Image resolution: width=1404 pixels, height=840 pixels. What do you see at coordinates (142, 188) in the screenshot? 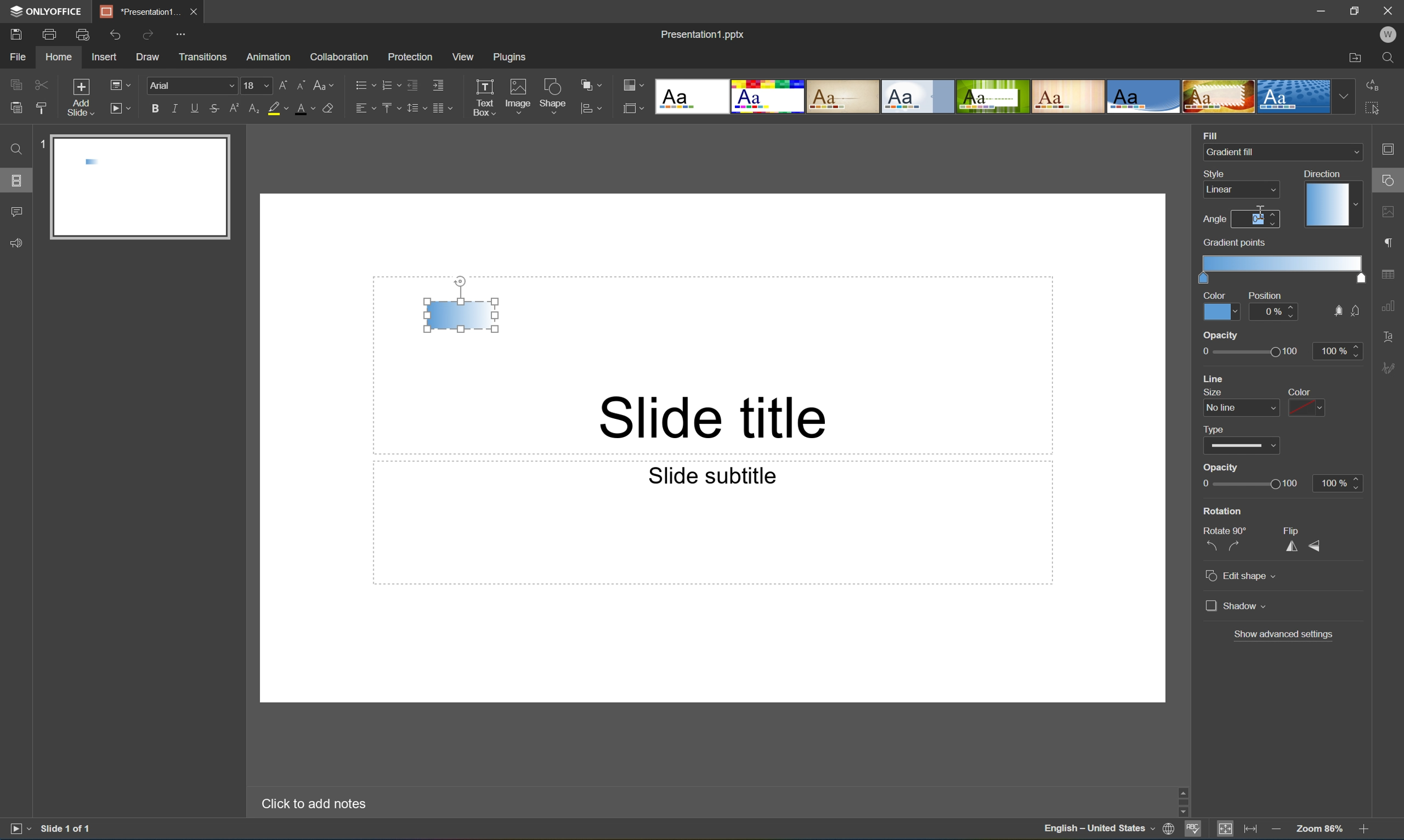
I see `Slide` at bounding box center [142, 188].